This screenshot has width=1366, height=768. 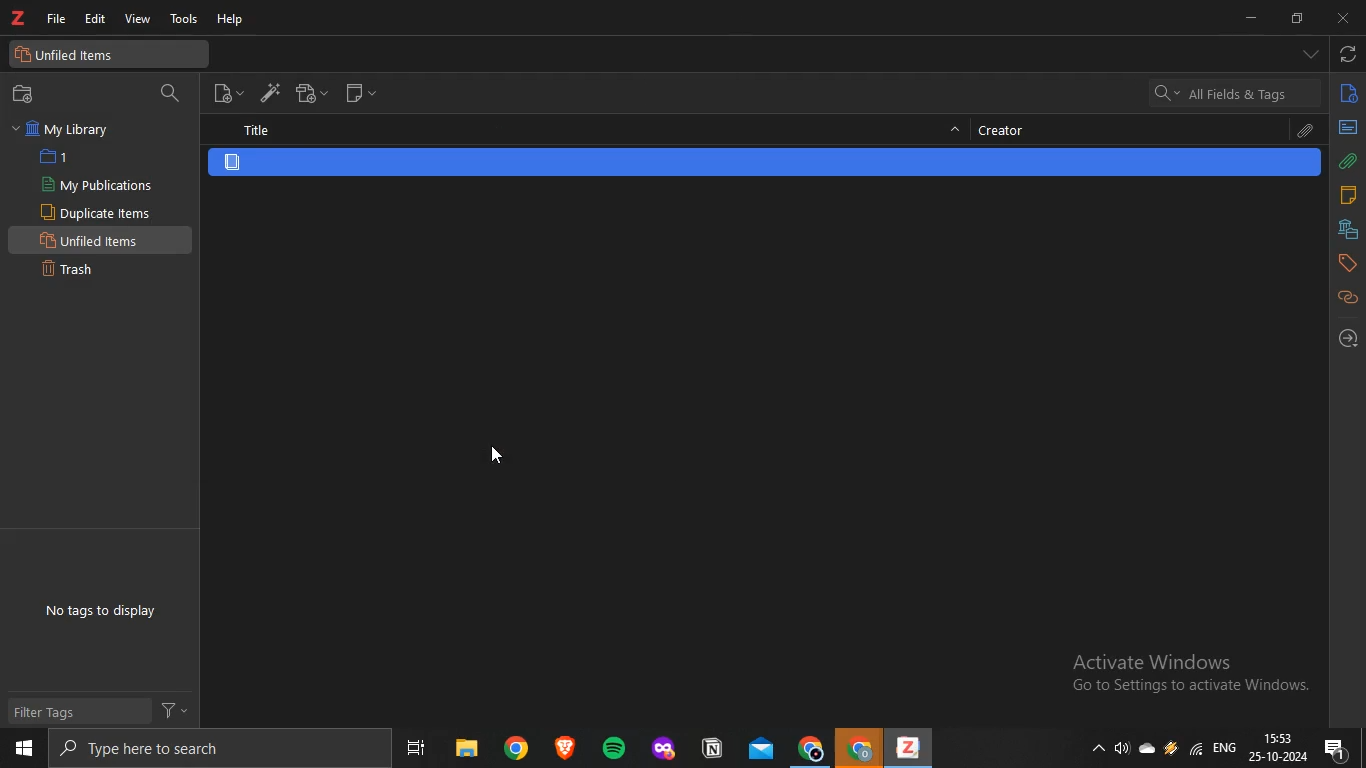 What do you see at coordinates (1124, 749) in the screenshot?
I see `speakers` at bounding box center [1124, 749].